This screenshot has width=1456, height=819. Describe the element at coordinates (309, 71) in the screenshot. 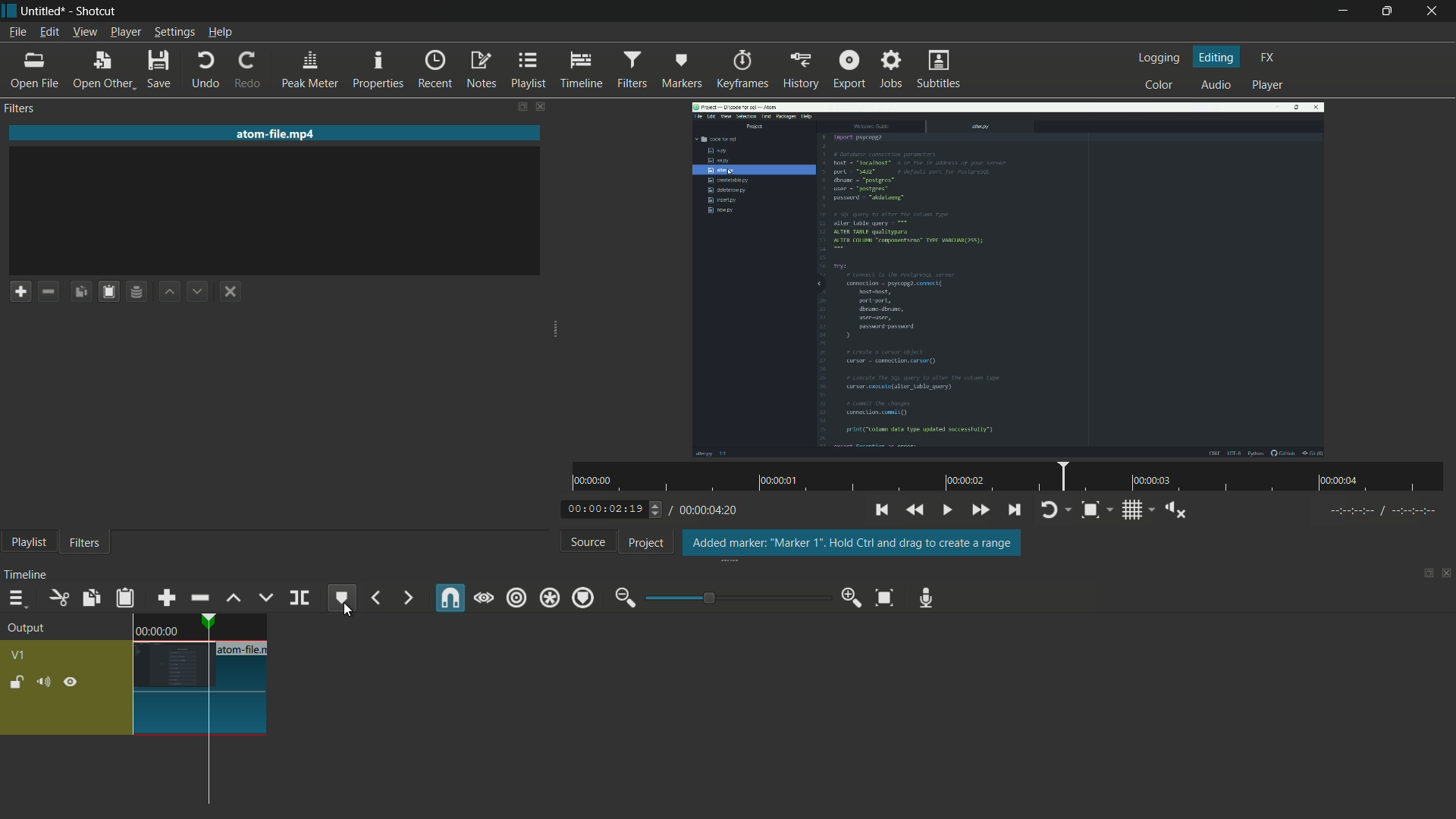

I see `peak meter` at that location.